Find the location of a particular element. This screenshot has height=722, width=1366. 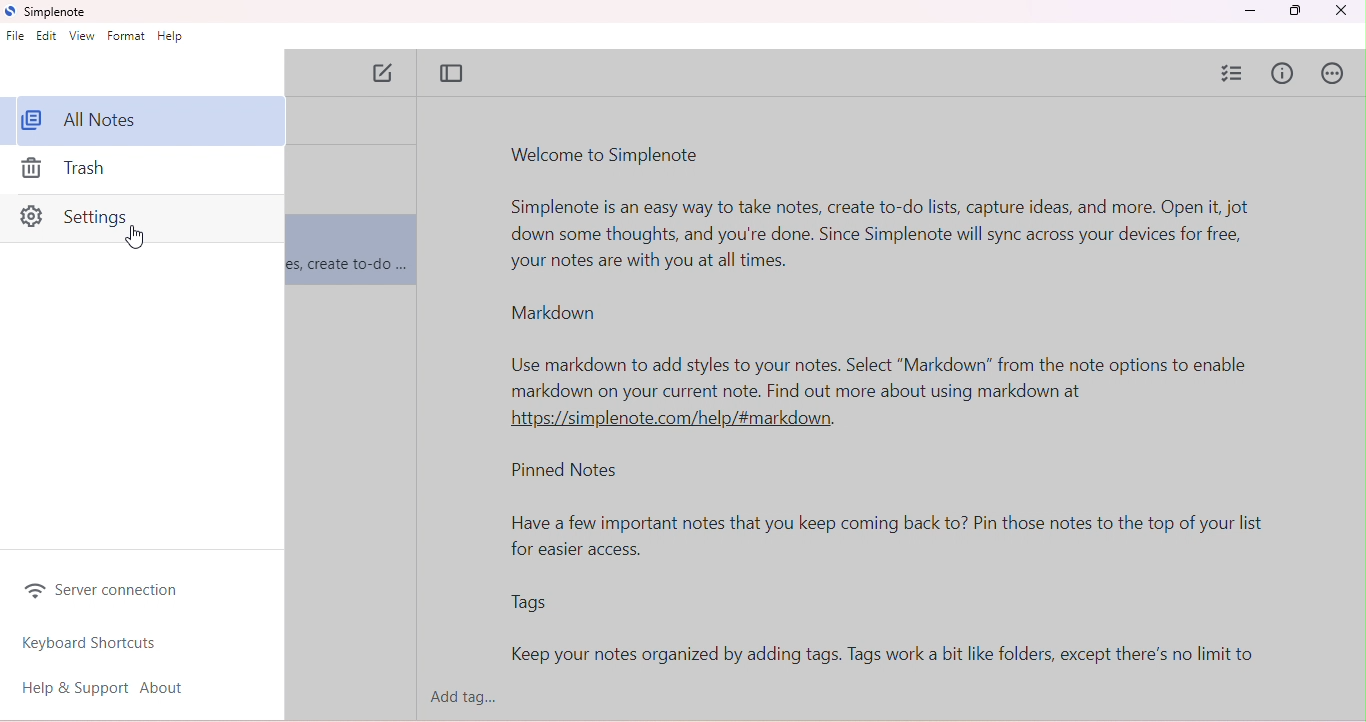

help and support about is located at coordinates (117, 687).